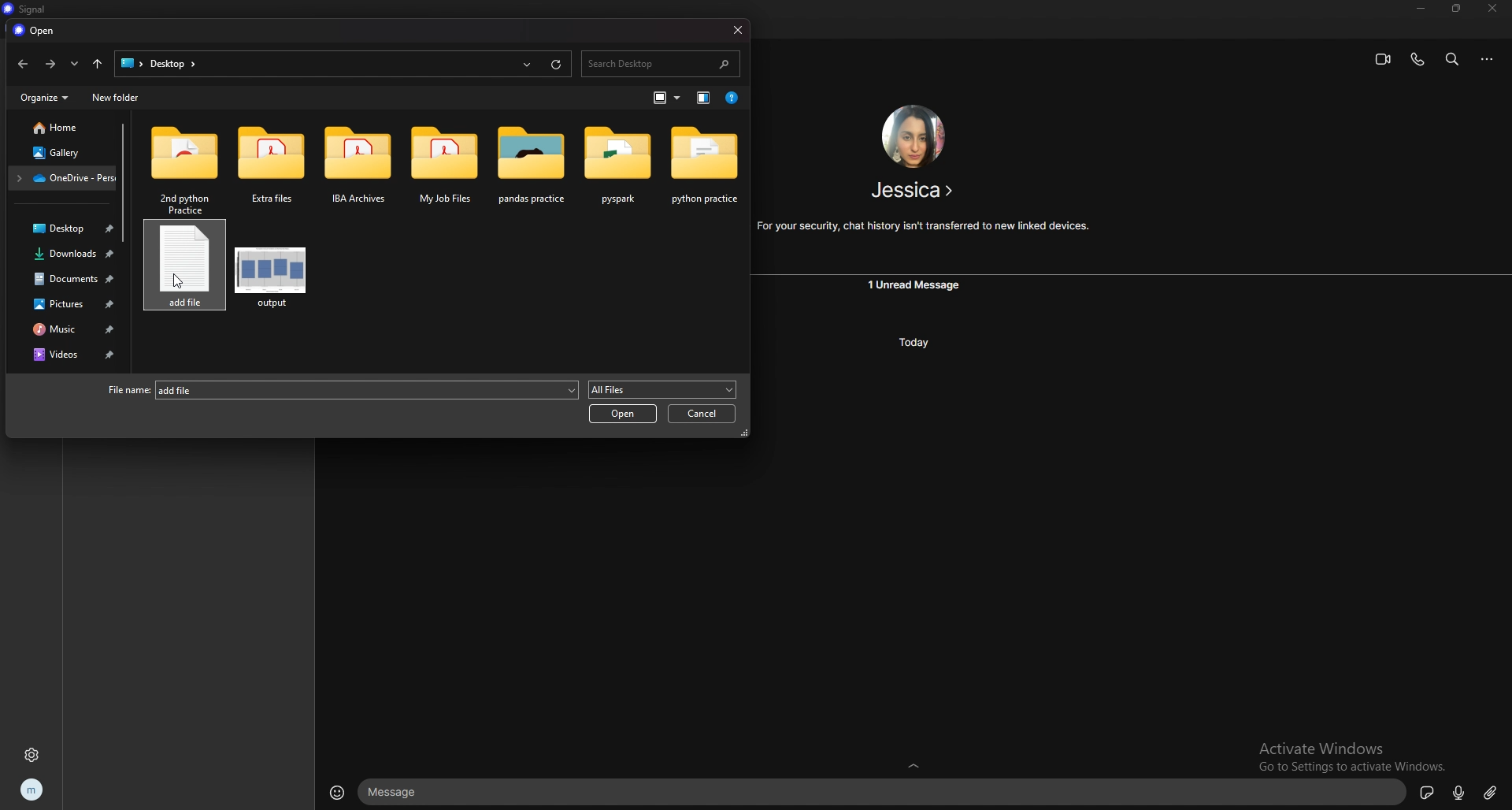 The height and width of the screenshot is (810, 1512). What do you see at coordinates (558, 65) in the screenshot?
I see `refresh` at bounding box center [558, 65].